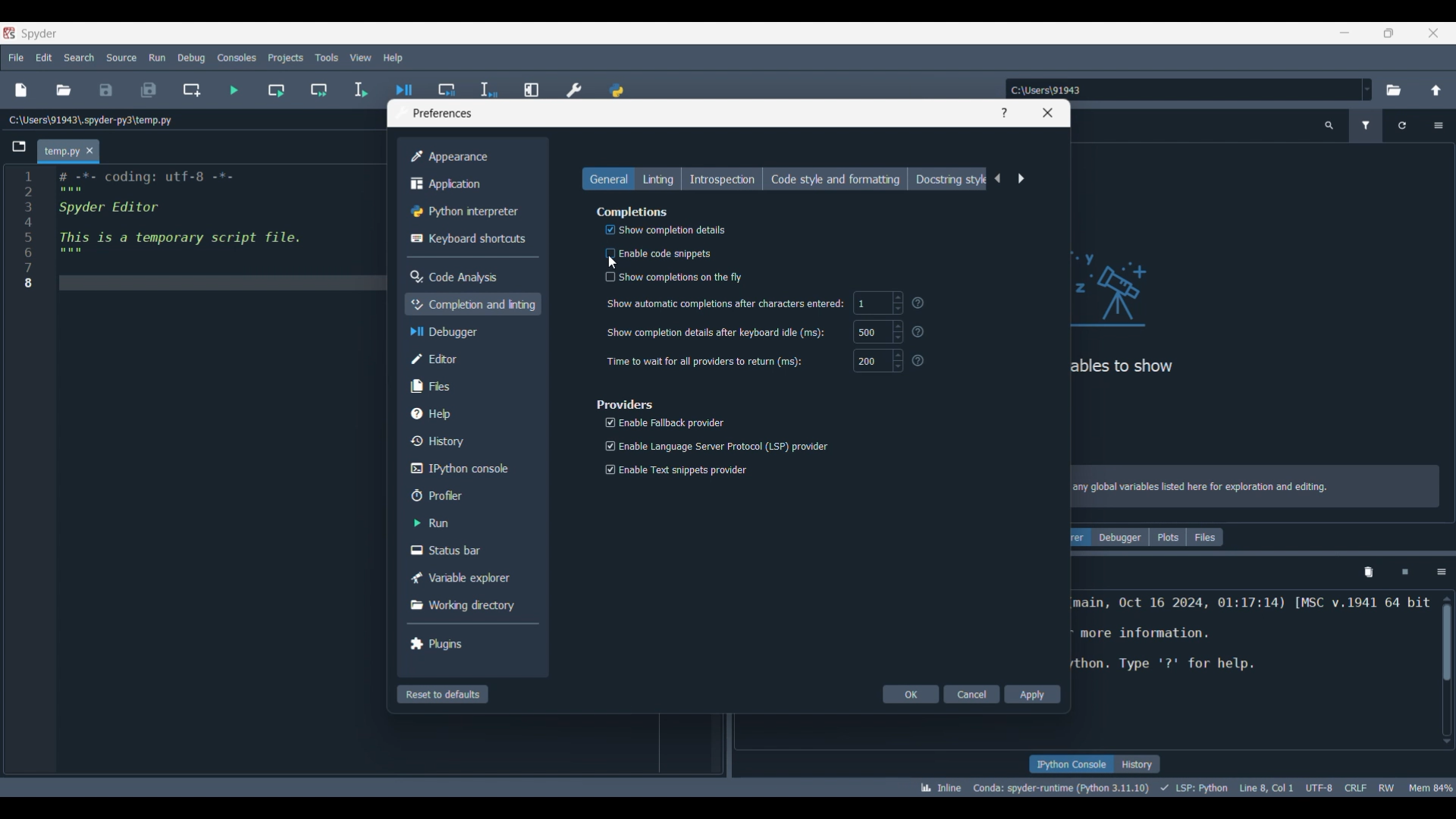 The image size is (1456, 819). I want to click on Close tab, so click(89, 150).